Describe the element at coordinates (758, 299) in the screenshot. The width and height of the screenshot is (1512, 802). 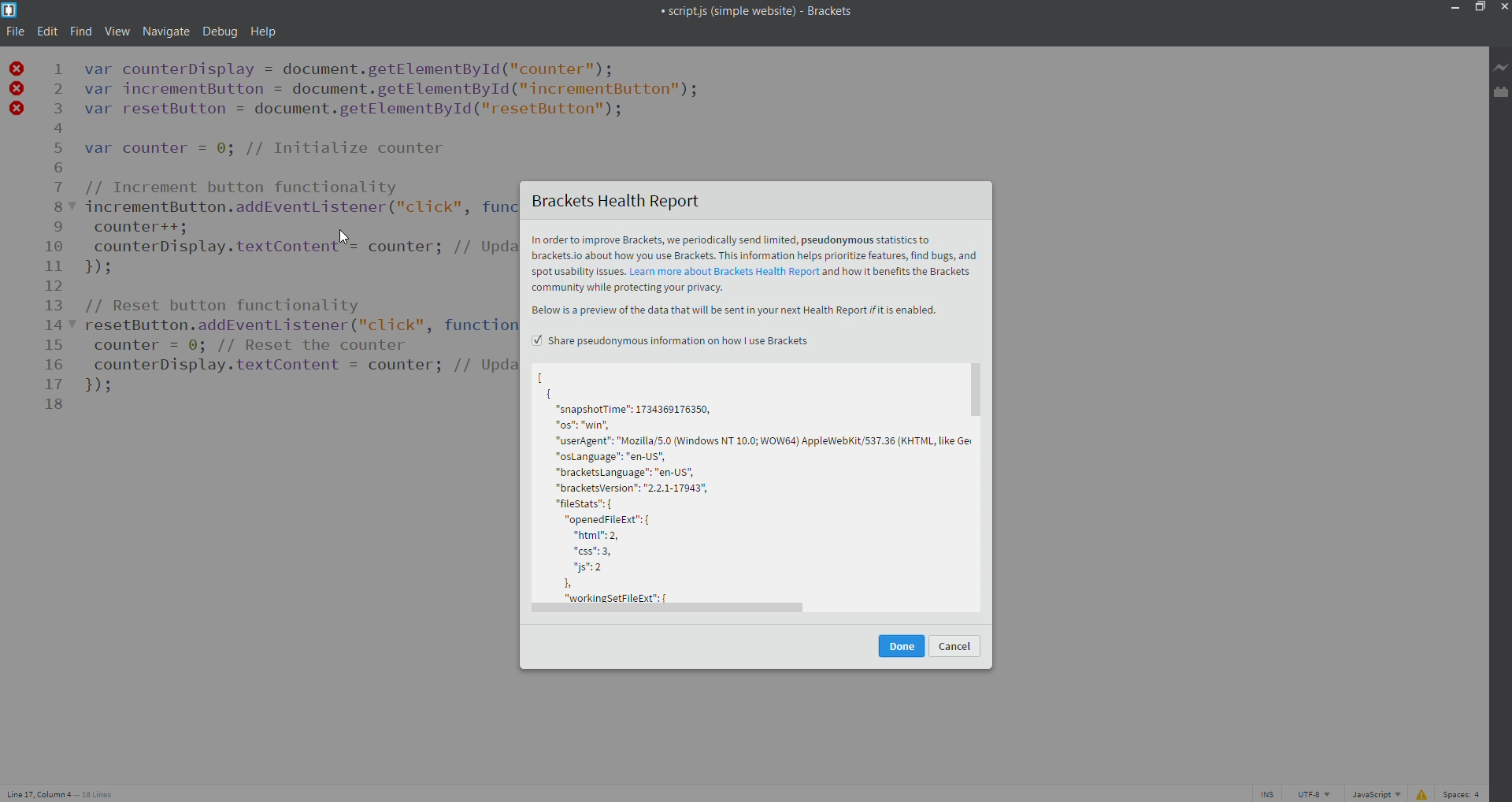
I see `Community while protecting your privacy dot below is preview of the data that will be sent in your next health report if it's enabled` at that location.